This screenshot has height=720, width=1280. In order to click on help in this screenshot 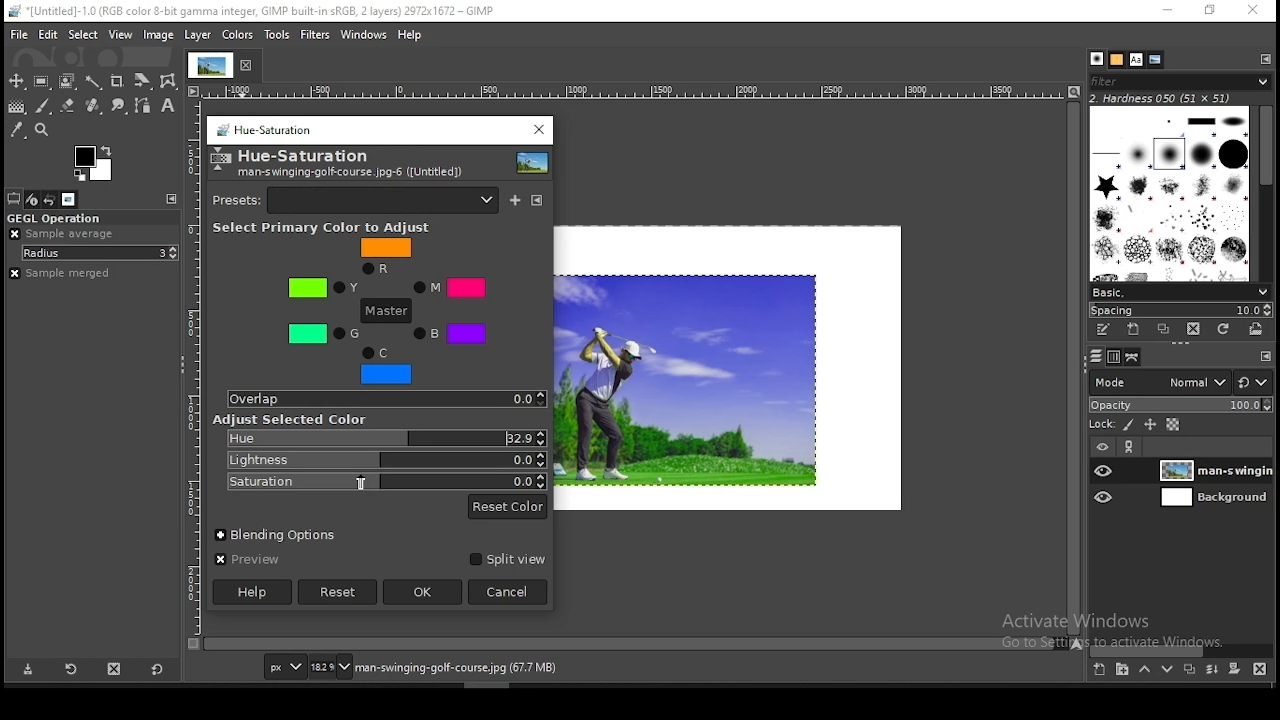, I will do `click(252, 593)`.